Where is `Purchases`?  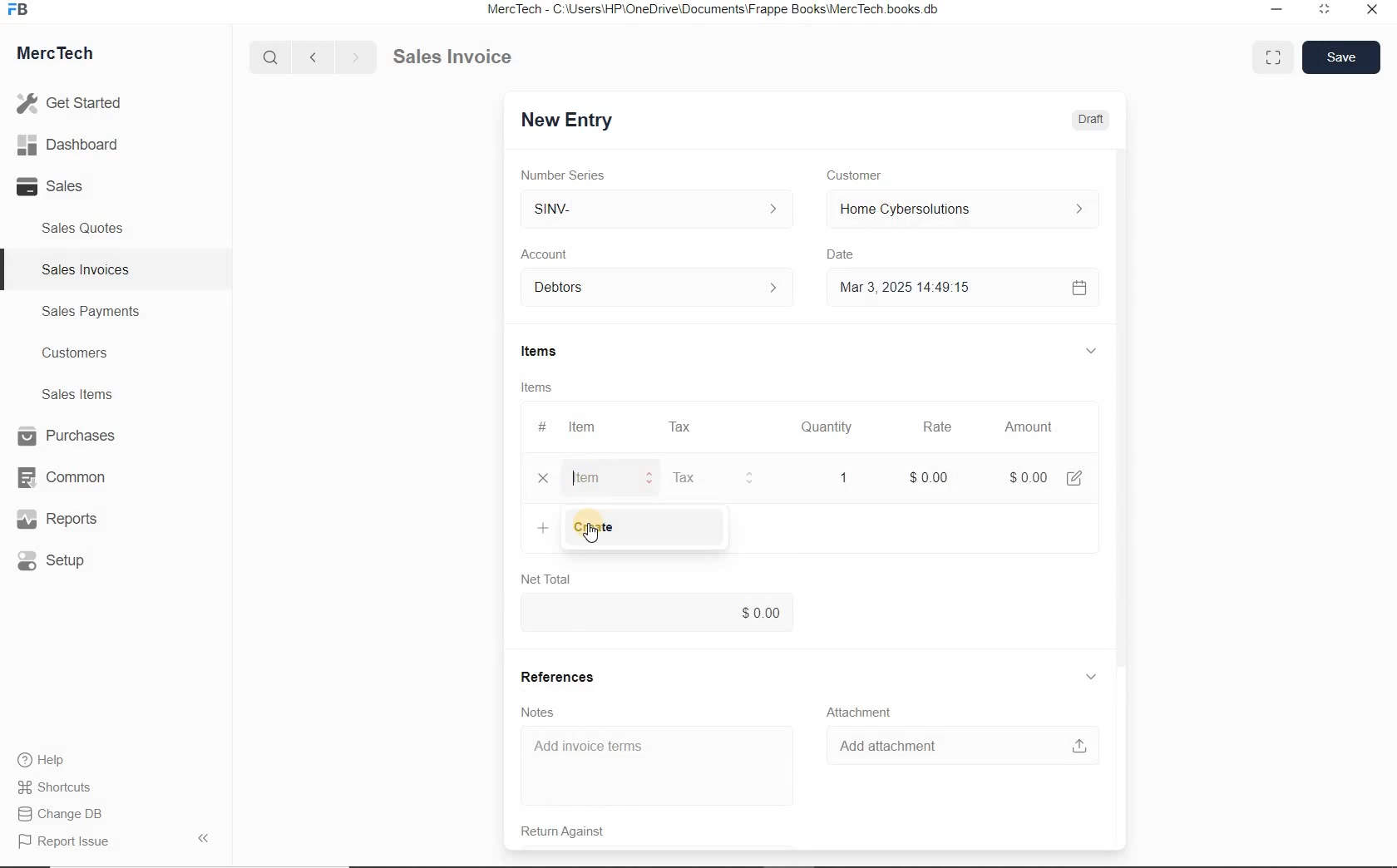 Purchases is located at coordinates (69, 437).